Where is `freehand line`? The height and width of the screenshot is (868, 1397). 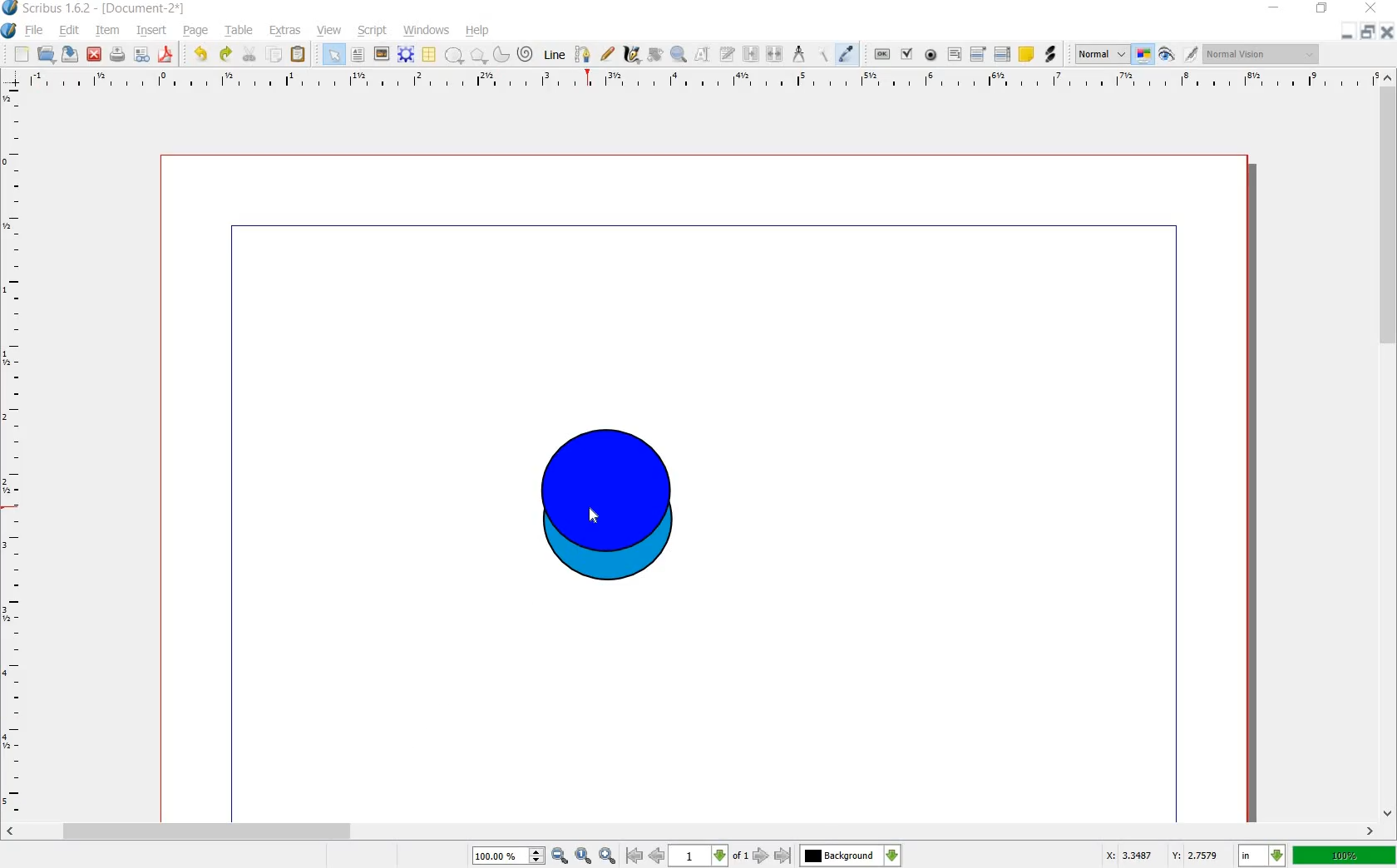
freehand line is located at coordinates (609, 54).